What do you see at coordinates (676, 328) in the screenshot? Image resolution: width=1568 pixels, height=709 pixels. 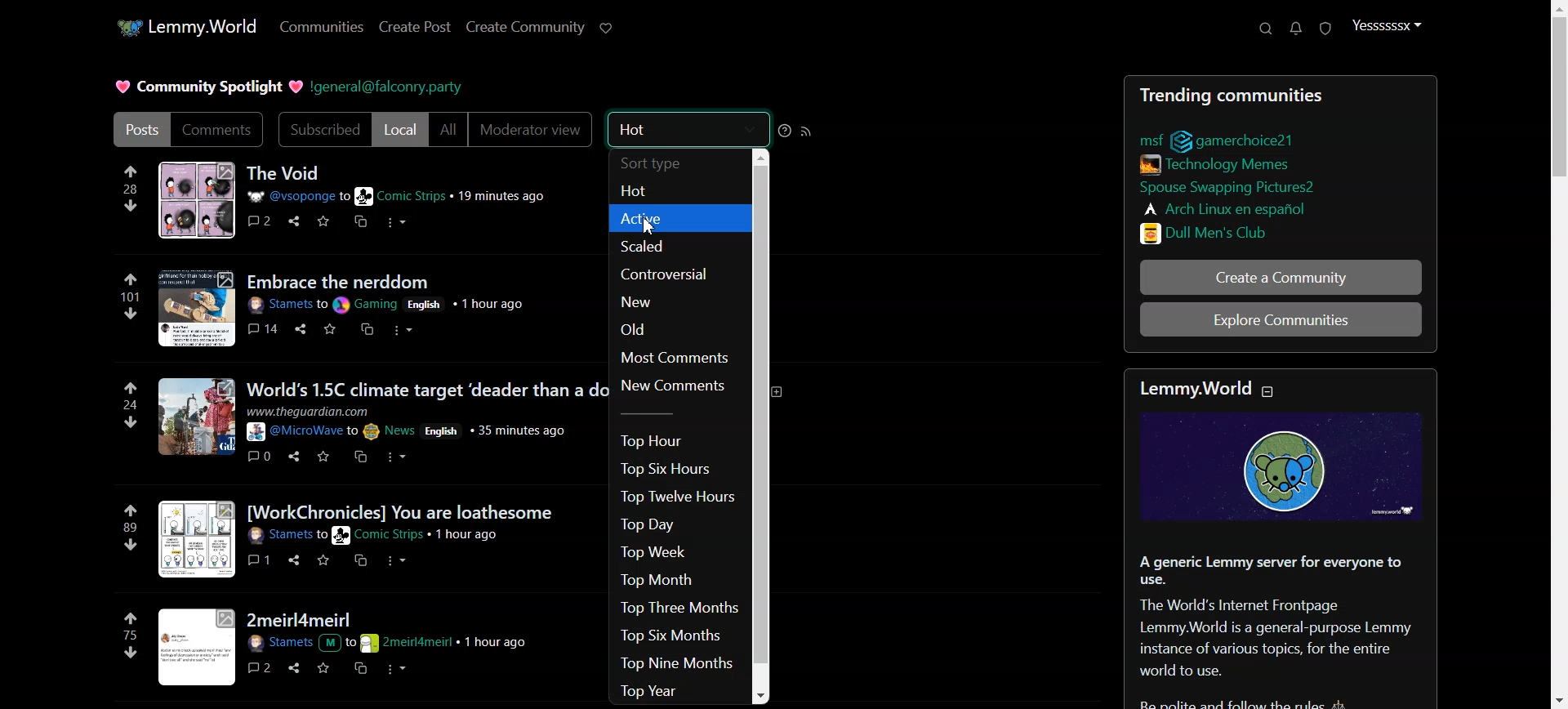 I see `Old` at bounding box center [676, 328].